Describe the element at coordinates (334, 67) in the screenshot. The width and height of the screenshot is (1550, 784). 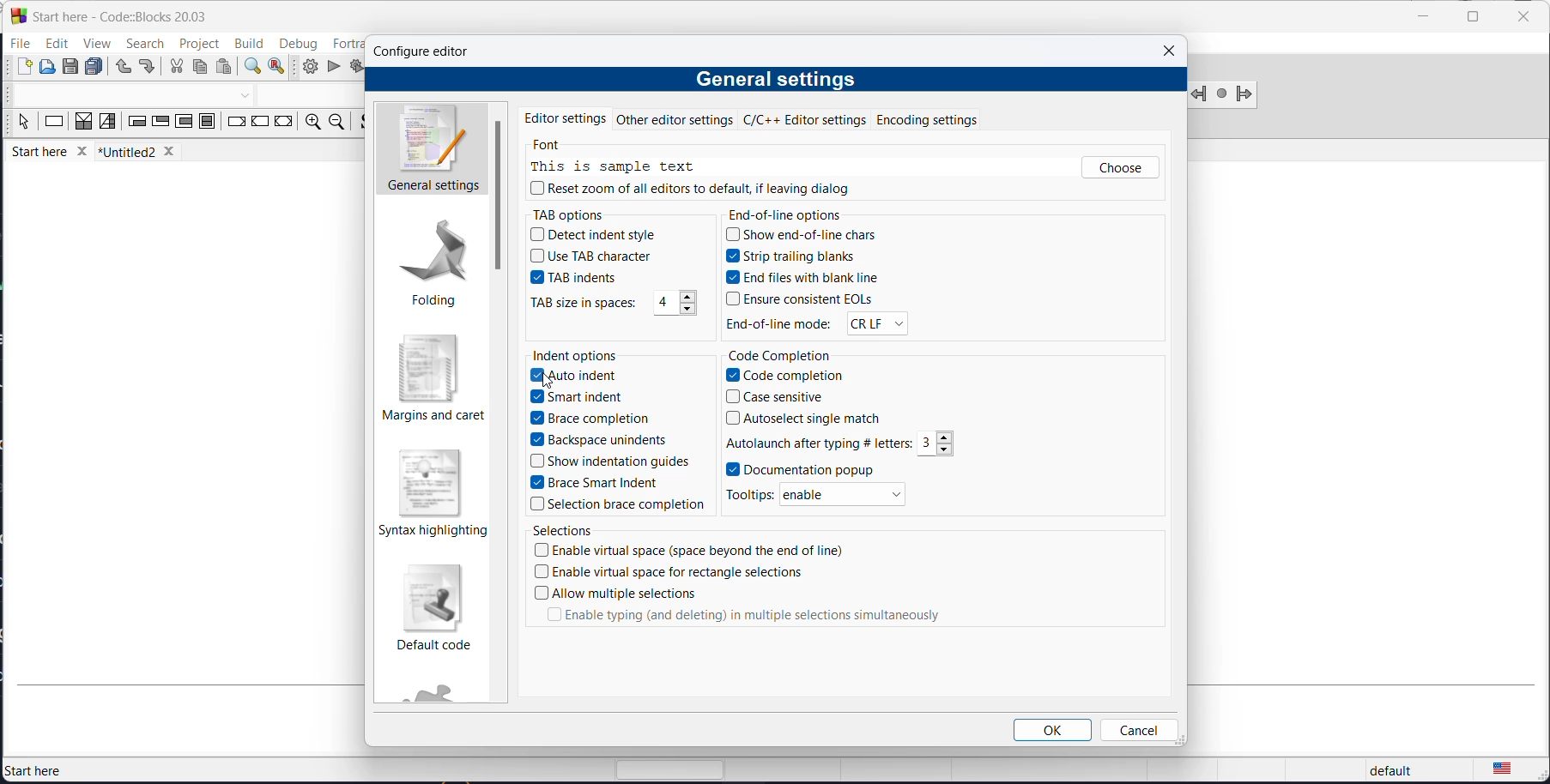
I see `run` at that location.